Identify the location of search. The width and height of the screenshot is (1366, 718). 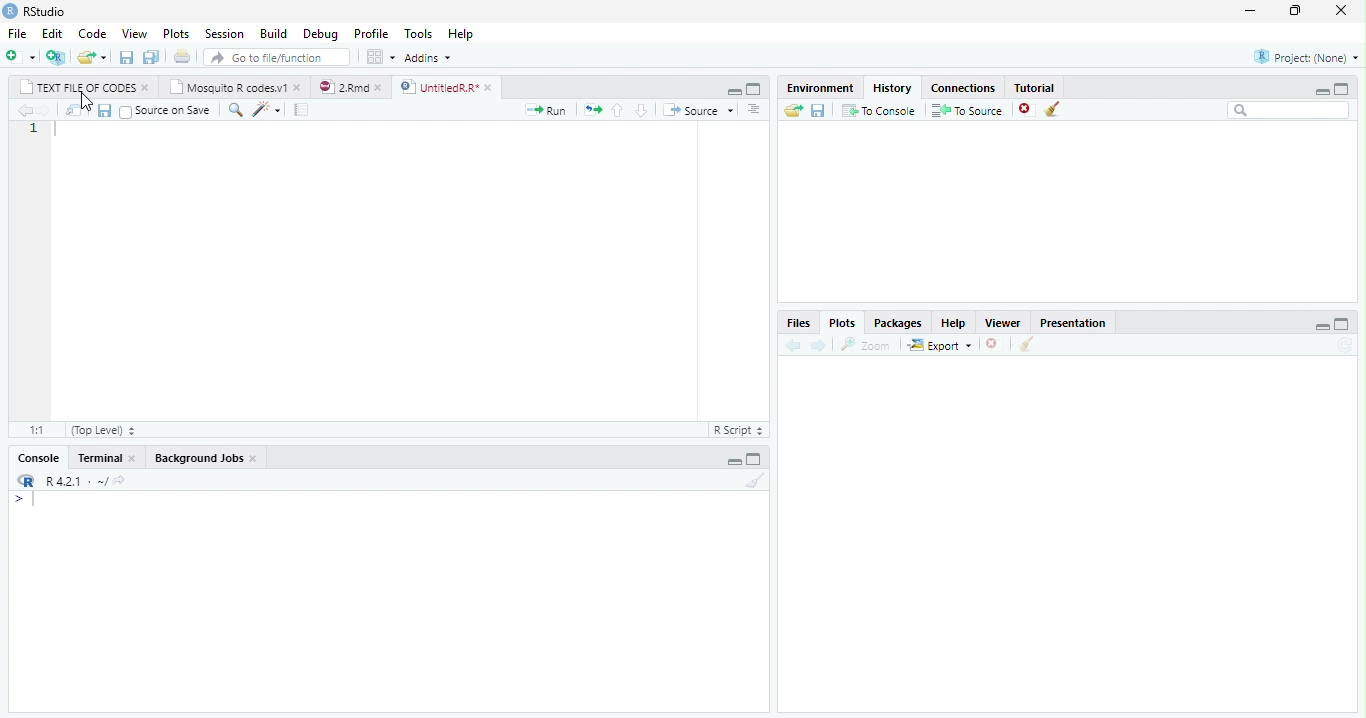
(1286, 111).